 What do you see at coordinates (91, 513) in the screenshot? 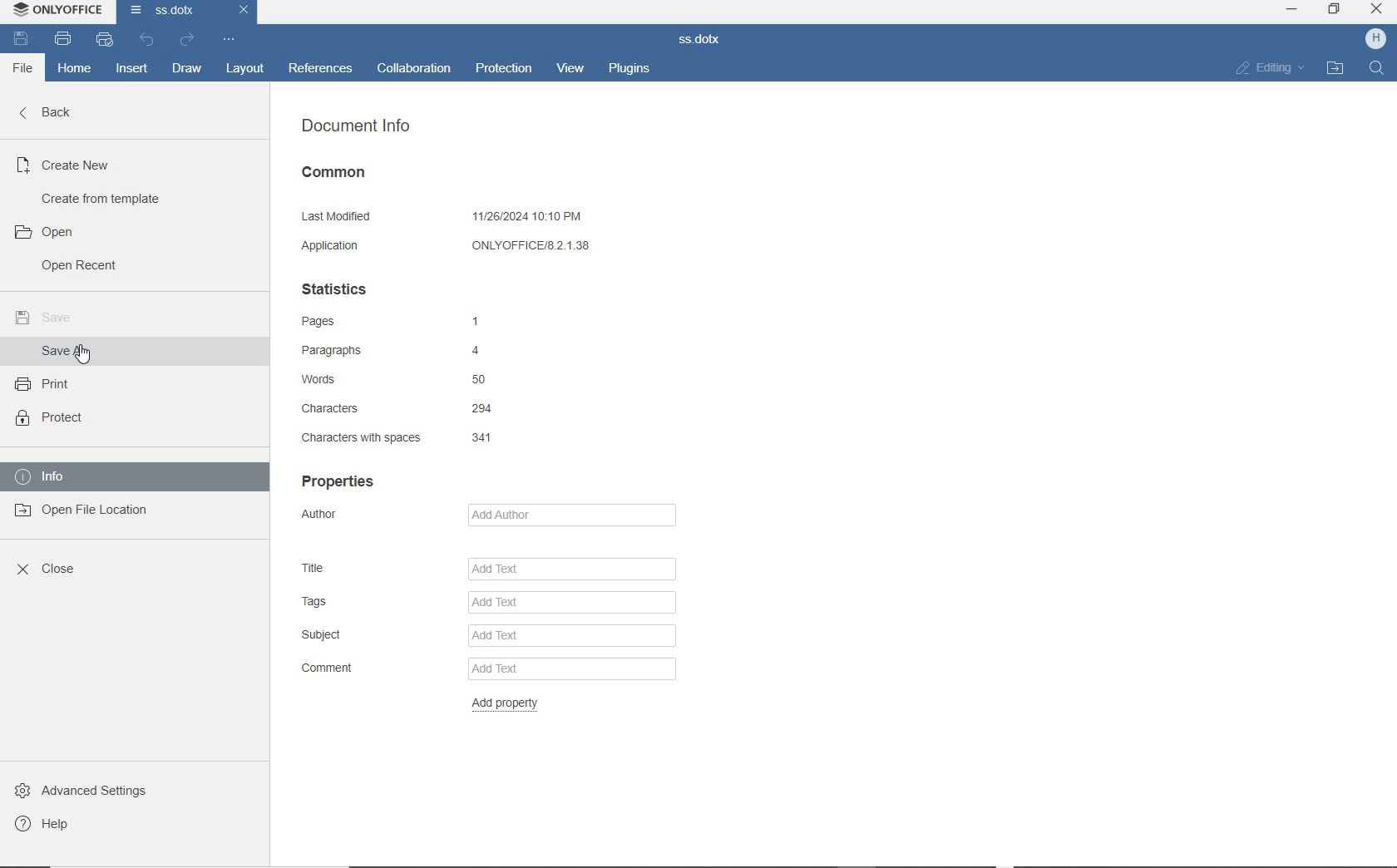
I see `OPEN FILE LOCATION` at bounding box center [91, 513].